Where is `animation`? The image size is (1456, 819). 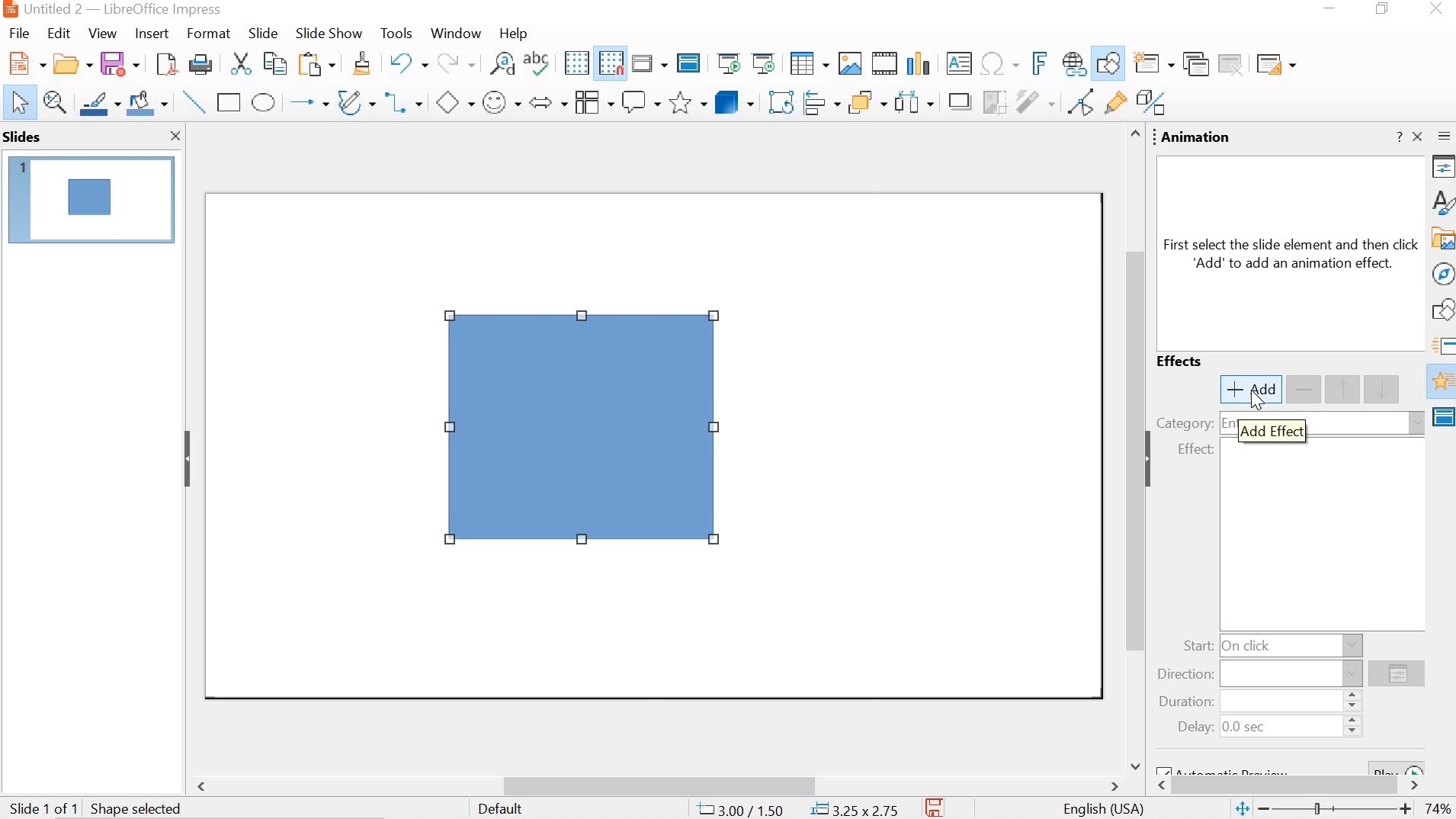
animation is located at coordinates (1199, 136).